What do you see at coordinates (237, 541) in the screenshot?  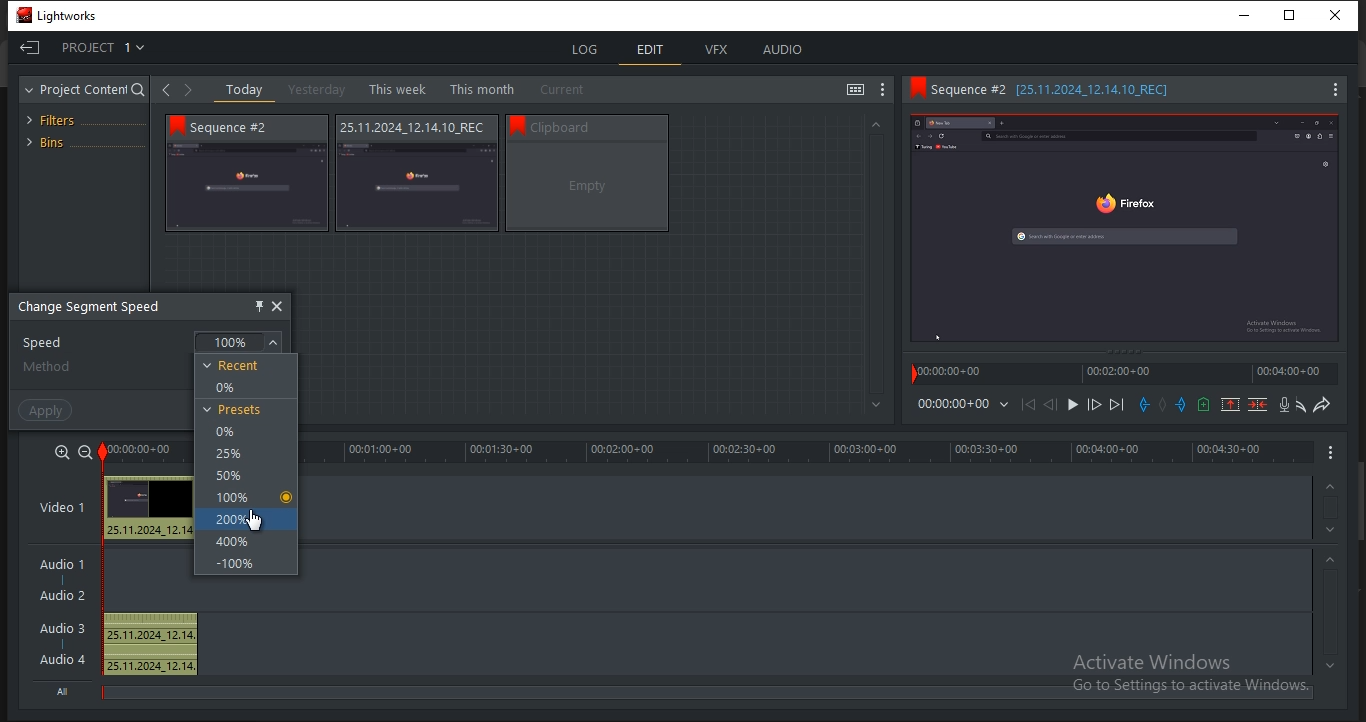 I see `400` at bounding box center [237, 541].